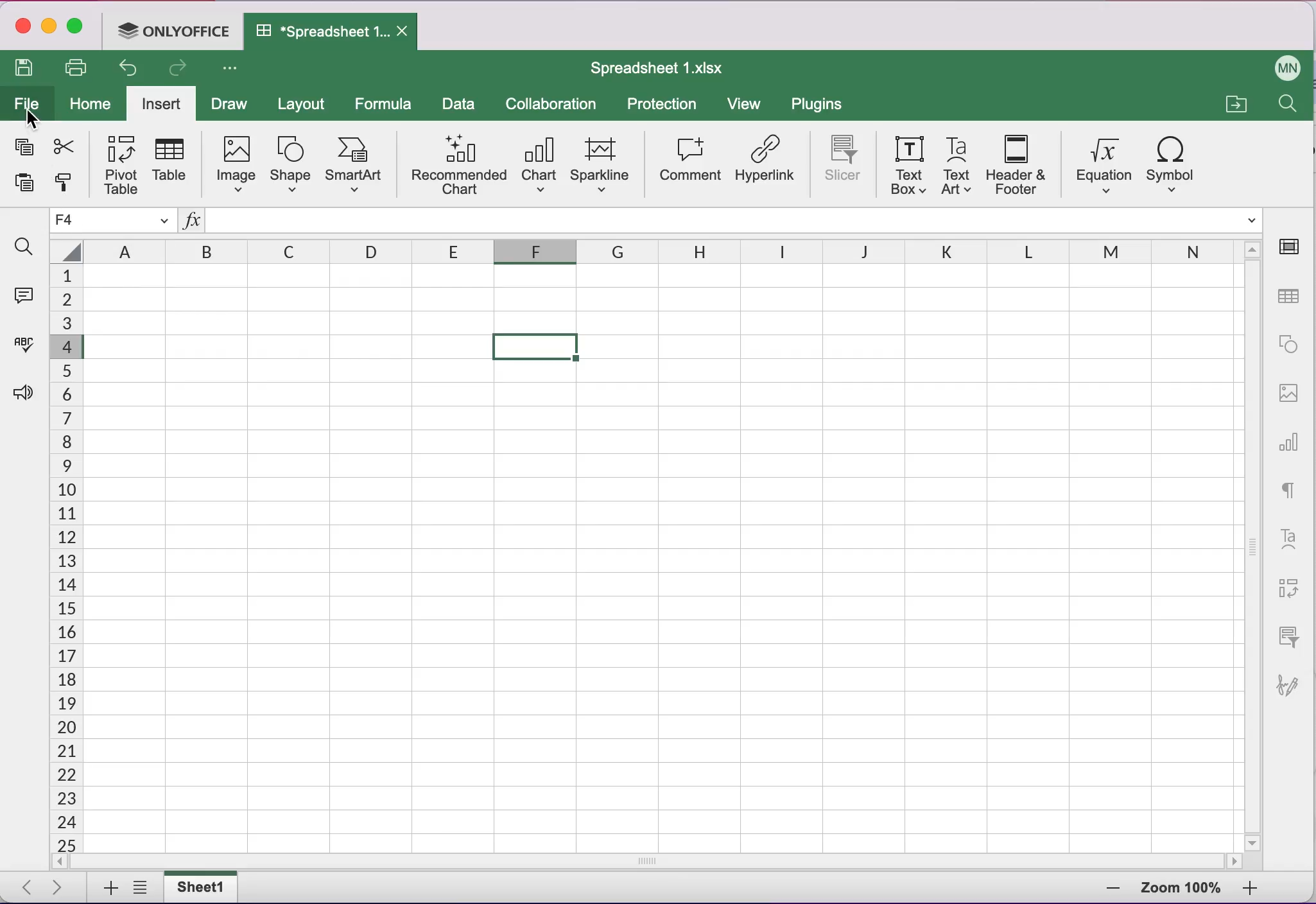 This screenshot has width=1316, height=904. Describe the element at coordinates (844, 164) in the screenshot. I see `slicer` at that location.